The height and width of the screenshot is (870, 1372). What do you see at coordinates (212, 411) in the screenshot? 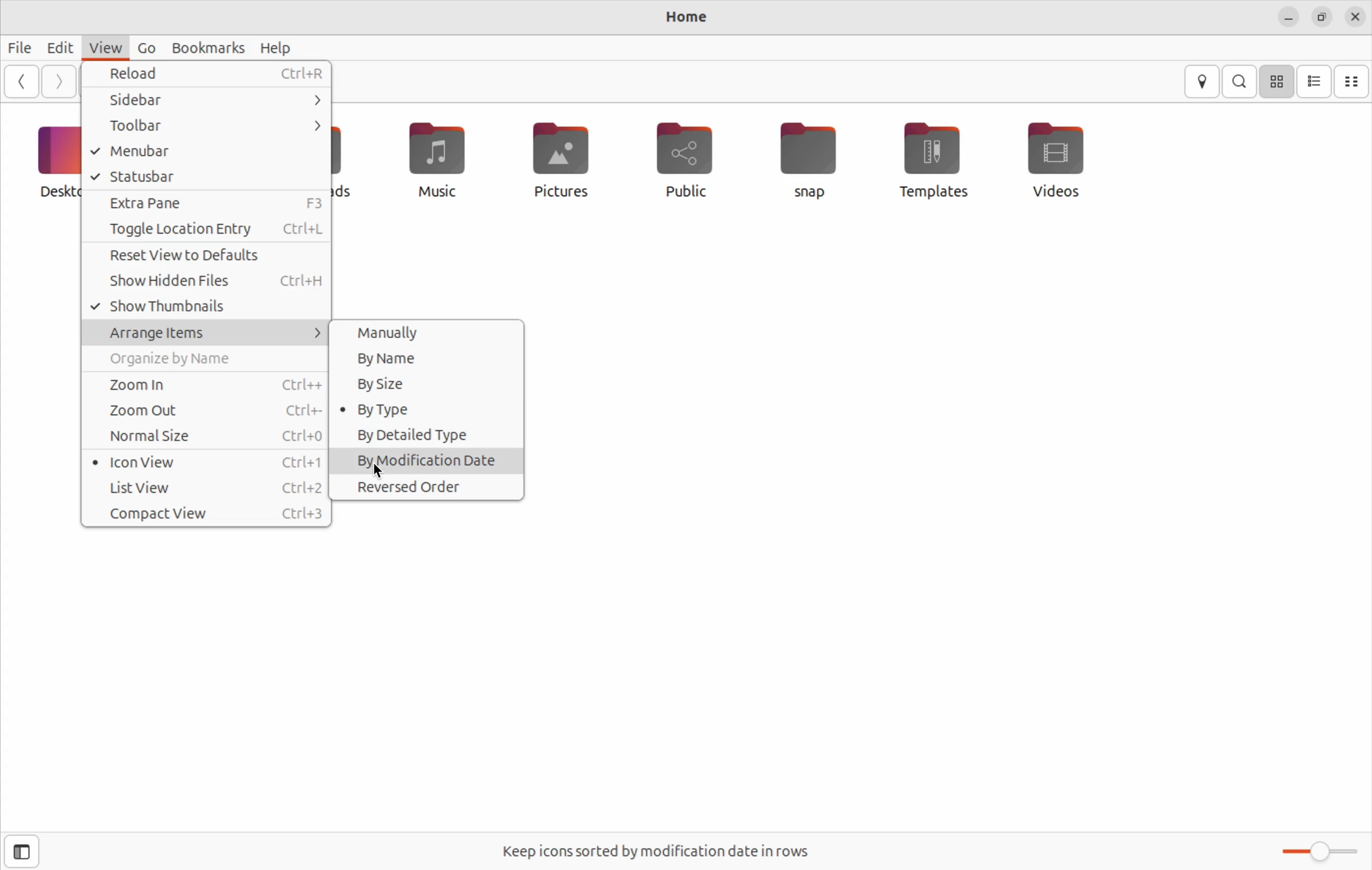
I see `zoom out` at bounding box center [212, 411].